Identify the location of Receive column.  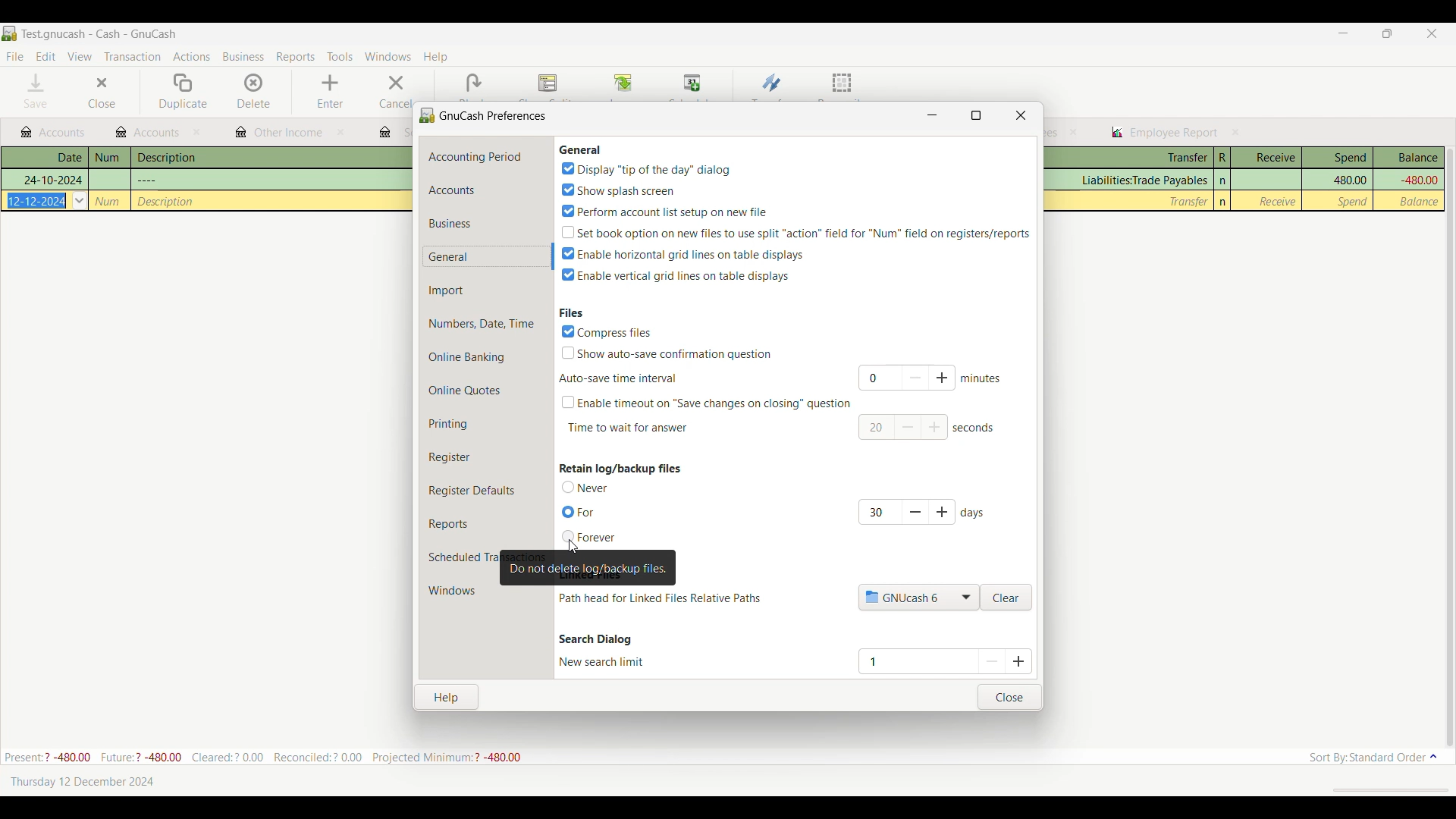
(1277, 201).